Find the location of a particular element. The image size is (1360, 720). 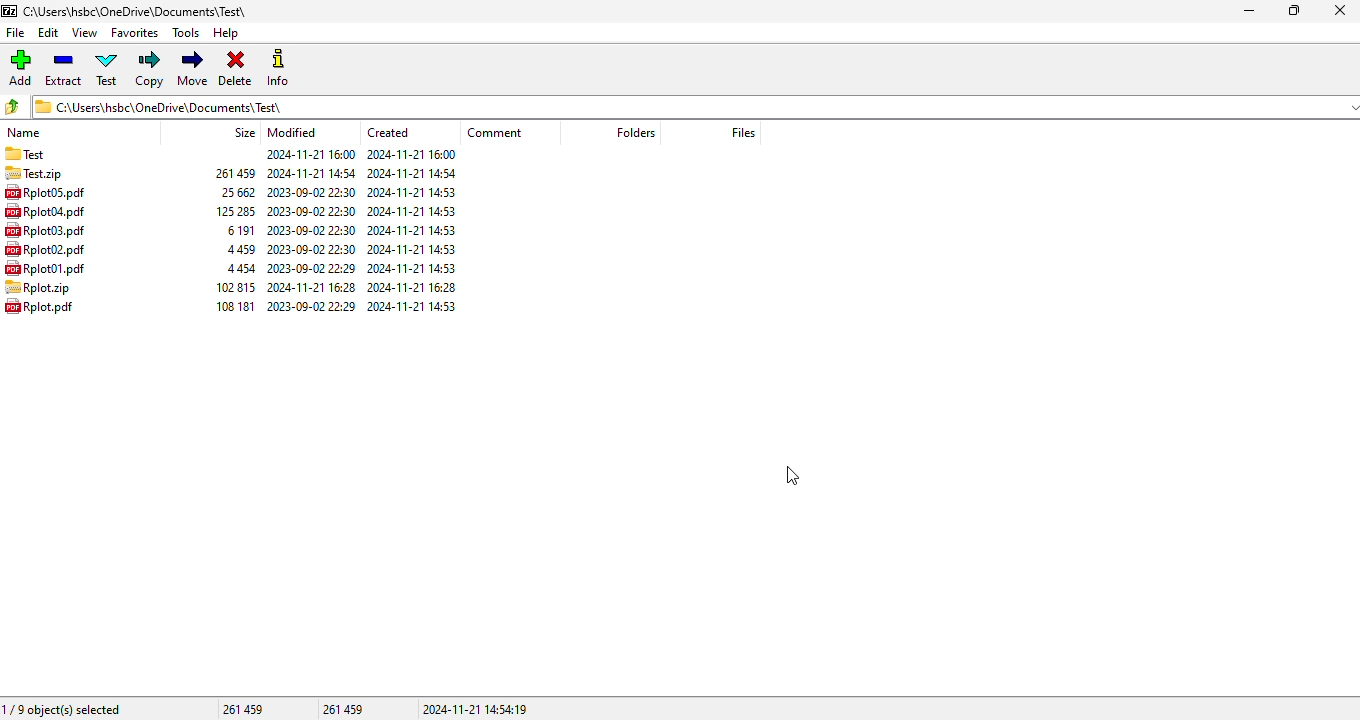

size is located at coordinates (234, 192).